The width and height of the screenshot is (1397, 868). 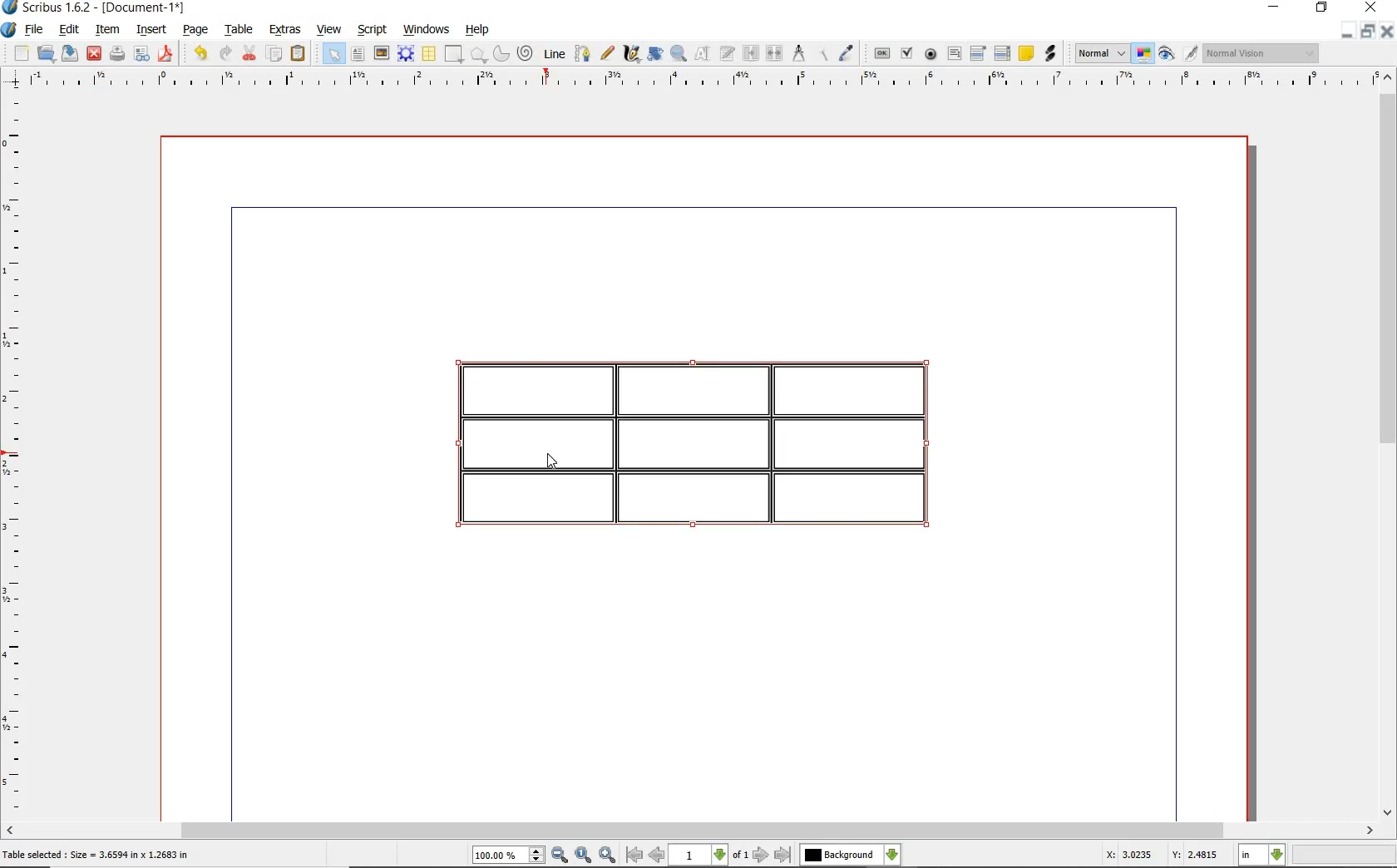 What do you see at coordinates (373, 31) in the screenshot?
I see `script` at bounding box center [373, 31].